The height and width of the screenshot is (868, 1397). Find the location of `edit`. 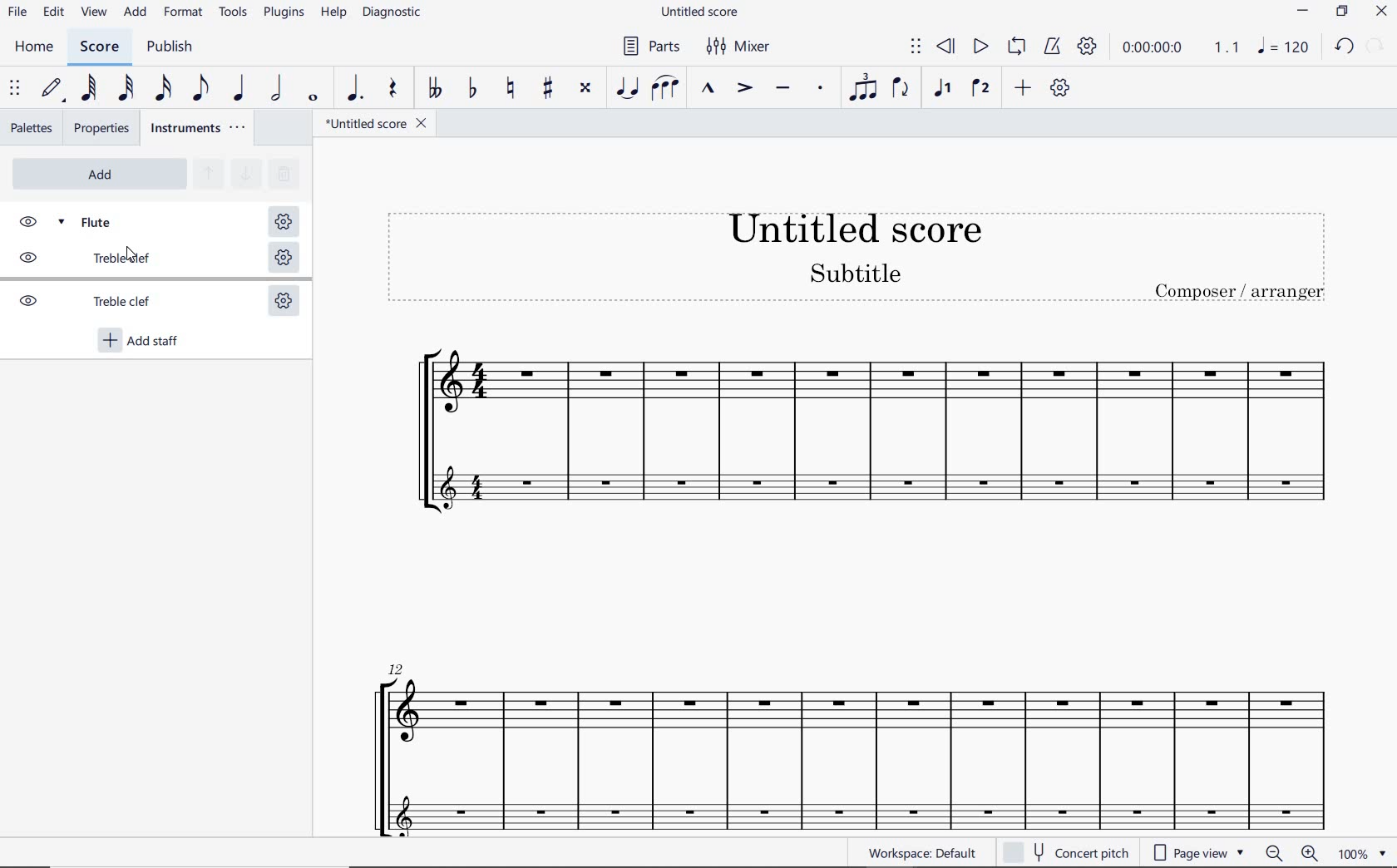

edit is located at coordinates (53, 14).